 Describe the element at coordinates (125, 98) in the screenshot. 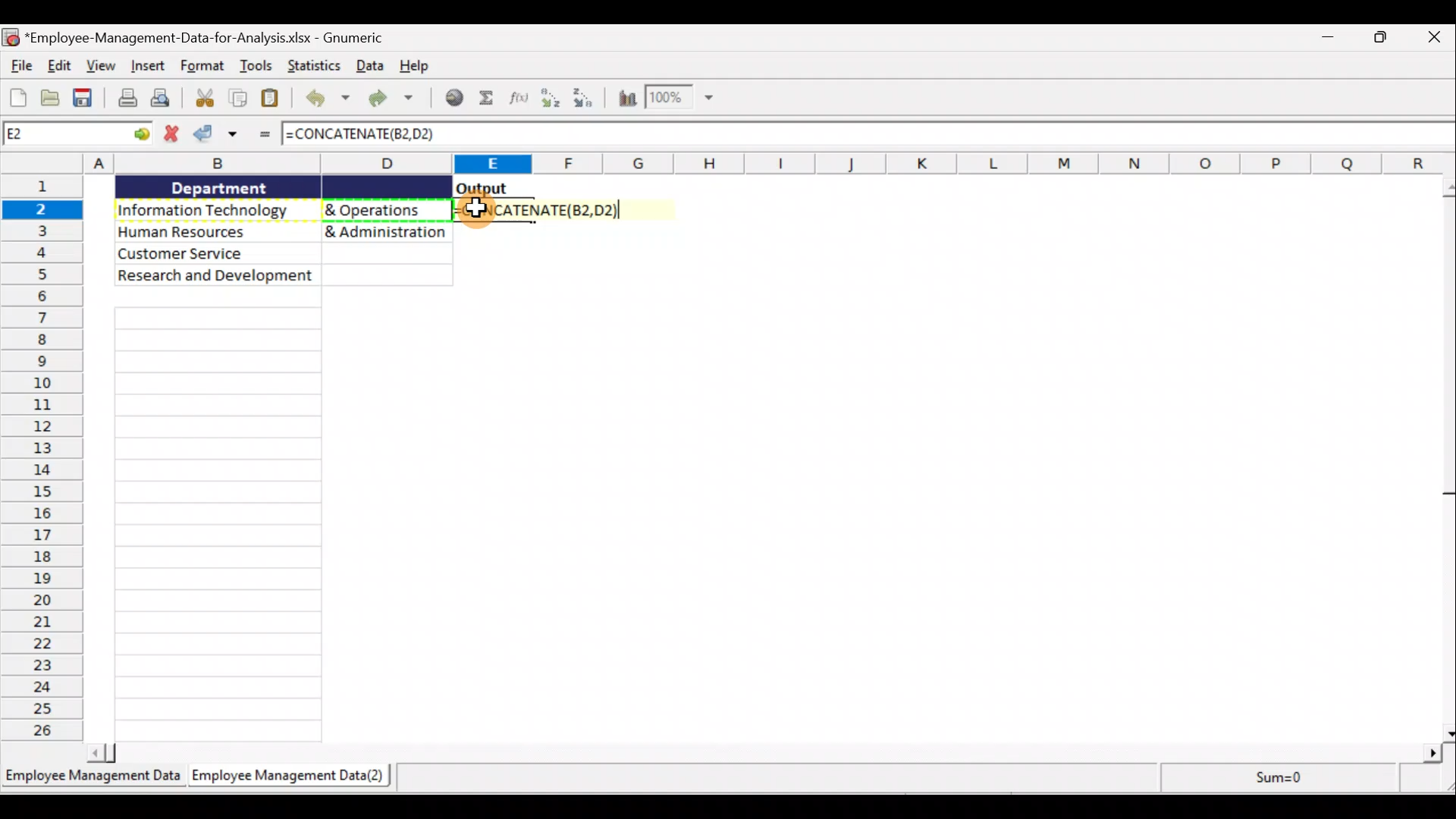

I see `Print the current file` at that location.